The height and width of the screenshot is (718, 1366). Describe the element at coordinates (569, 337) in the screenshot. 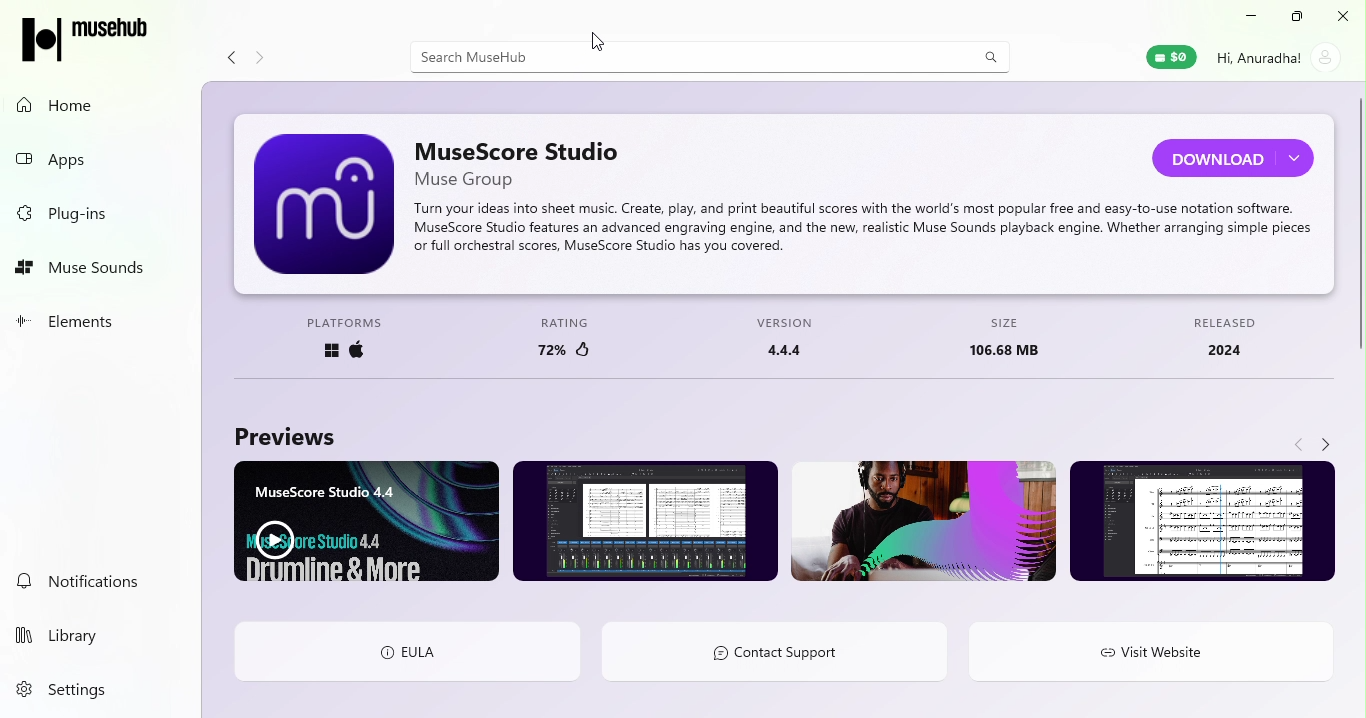

I see `Rating` at that location.